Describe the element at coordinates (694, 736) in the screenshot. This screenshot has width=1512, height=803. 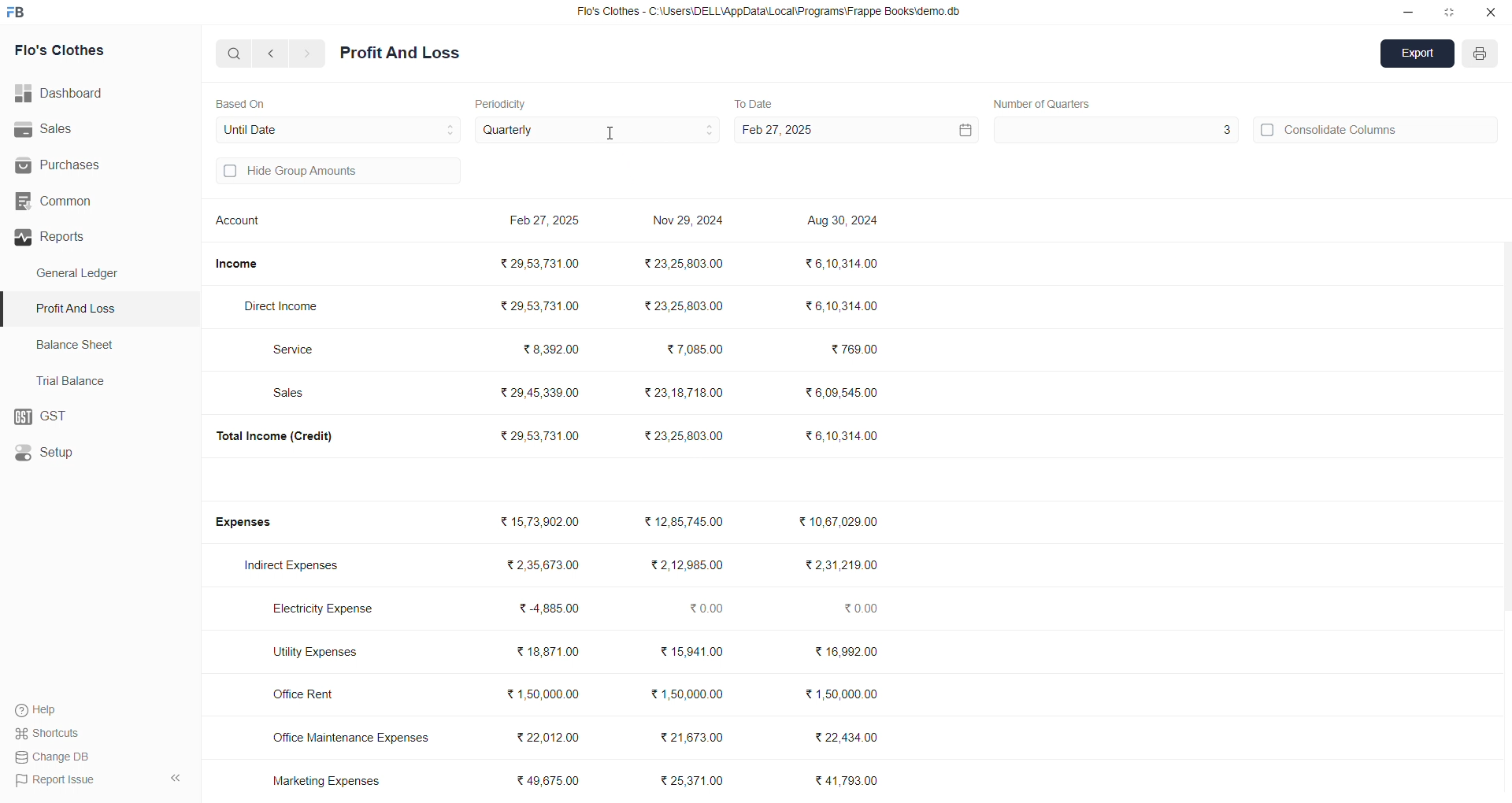
I see `₹21,673.00` at that location.